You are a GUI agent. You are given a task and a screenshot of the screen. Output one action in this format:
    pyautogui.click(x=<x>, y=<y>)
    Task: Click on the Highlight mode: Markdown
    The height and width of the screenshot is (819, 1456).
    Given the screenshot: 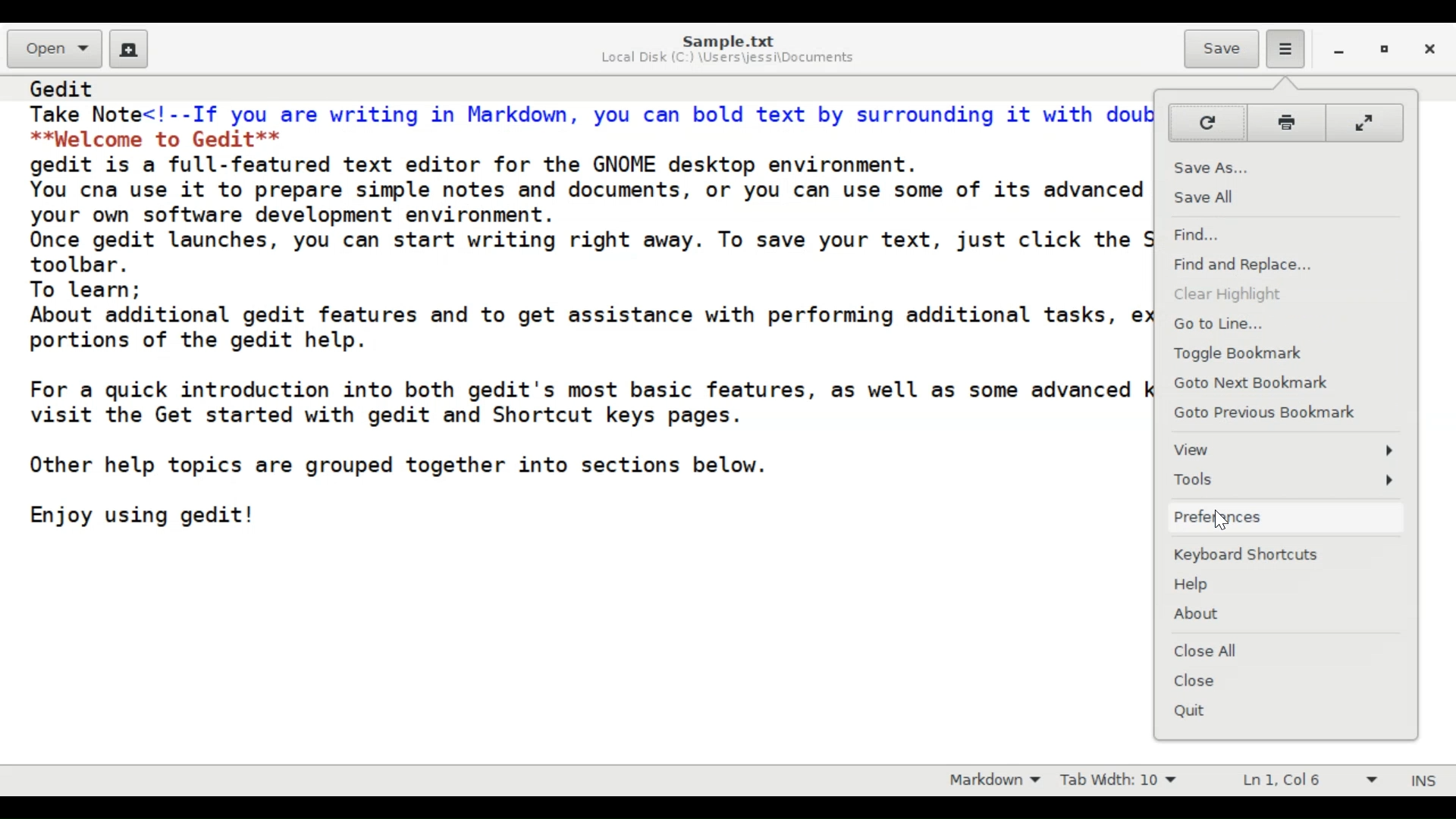 What is the action you would take?
    pyautogui.click(x=995, y=780)
    